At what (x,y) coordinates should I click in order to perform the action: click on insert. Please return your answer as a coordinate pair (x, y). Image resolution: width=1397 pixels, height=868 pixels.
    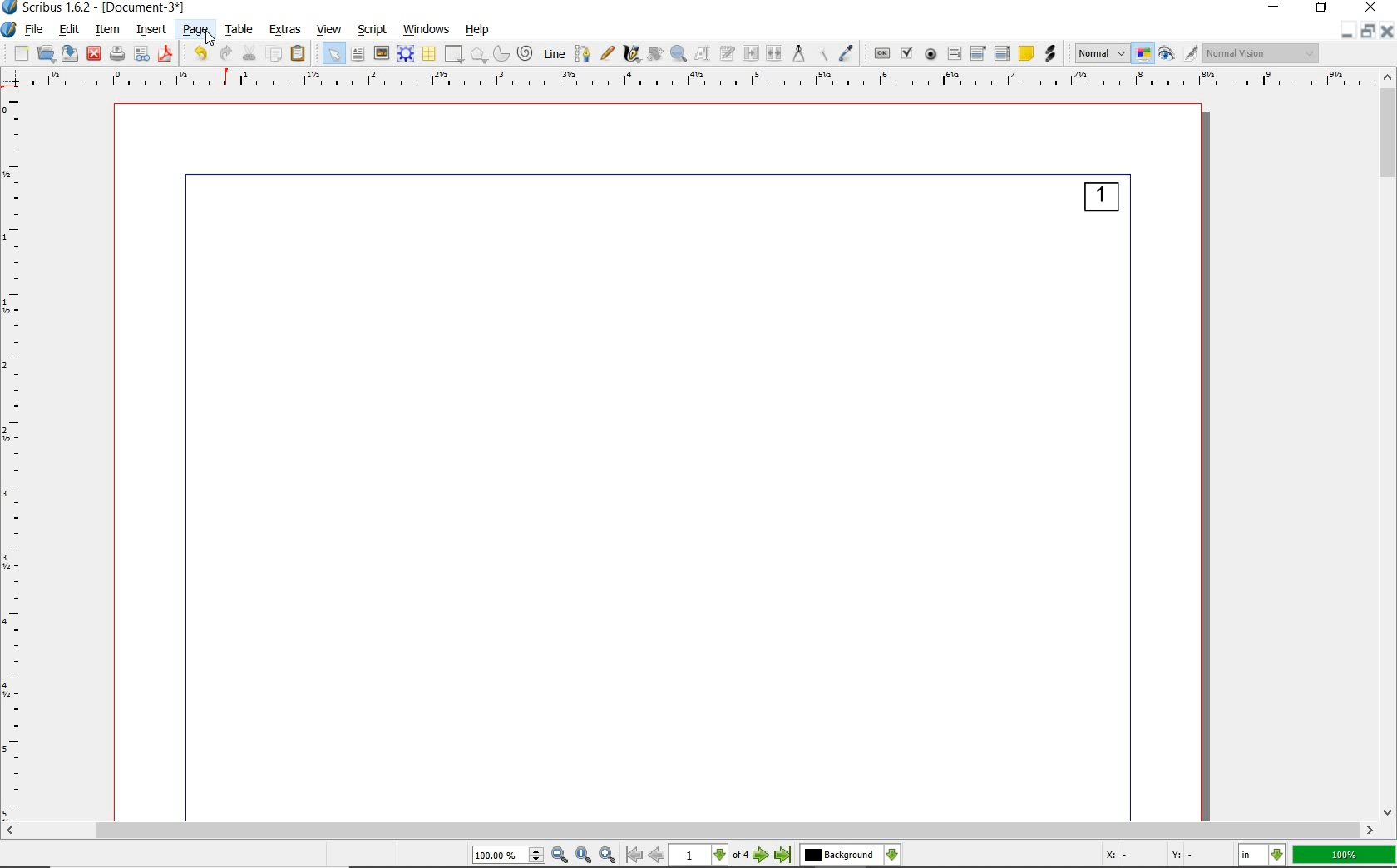
    Looking at the image, I should click on (151, 31).